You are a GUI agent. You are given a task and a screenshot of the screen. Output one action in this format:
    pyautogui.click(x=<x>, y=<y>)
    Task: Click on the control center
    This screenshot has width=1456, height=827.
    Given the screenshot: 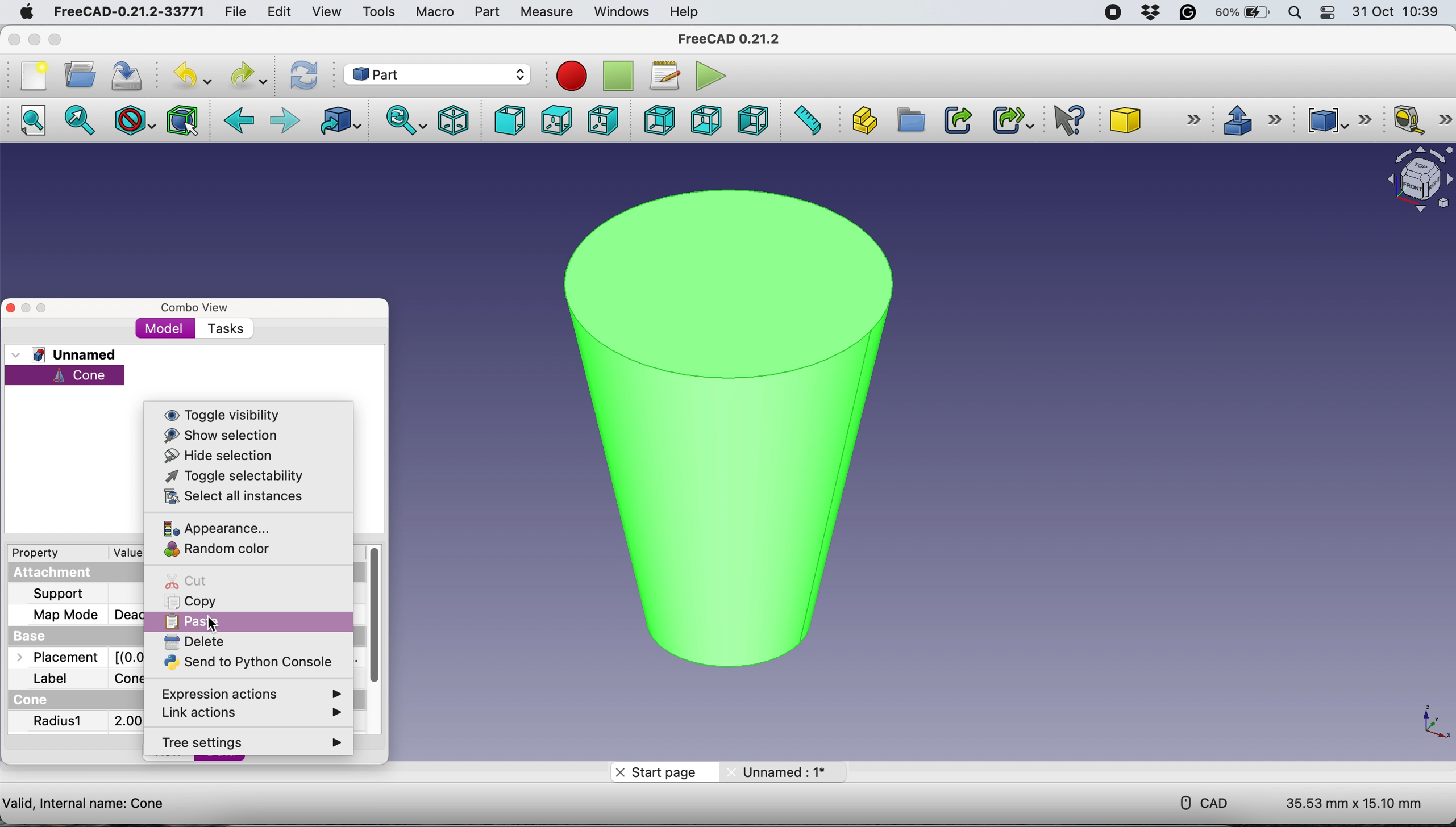 What is the action you would take?
    pyautogui.click(x=1329, y=14)
    